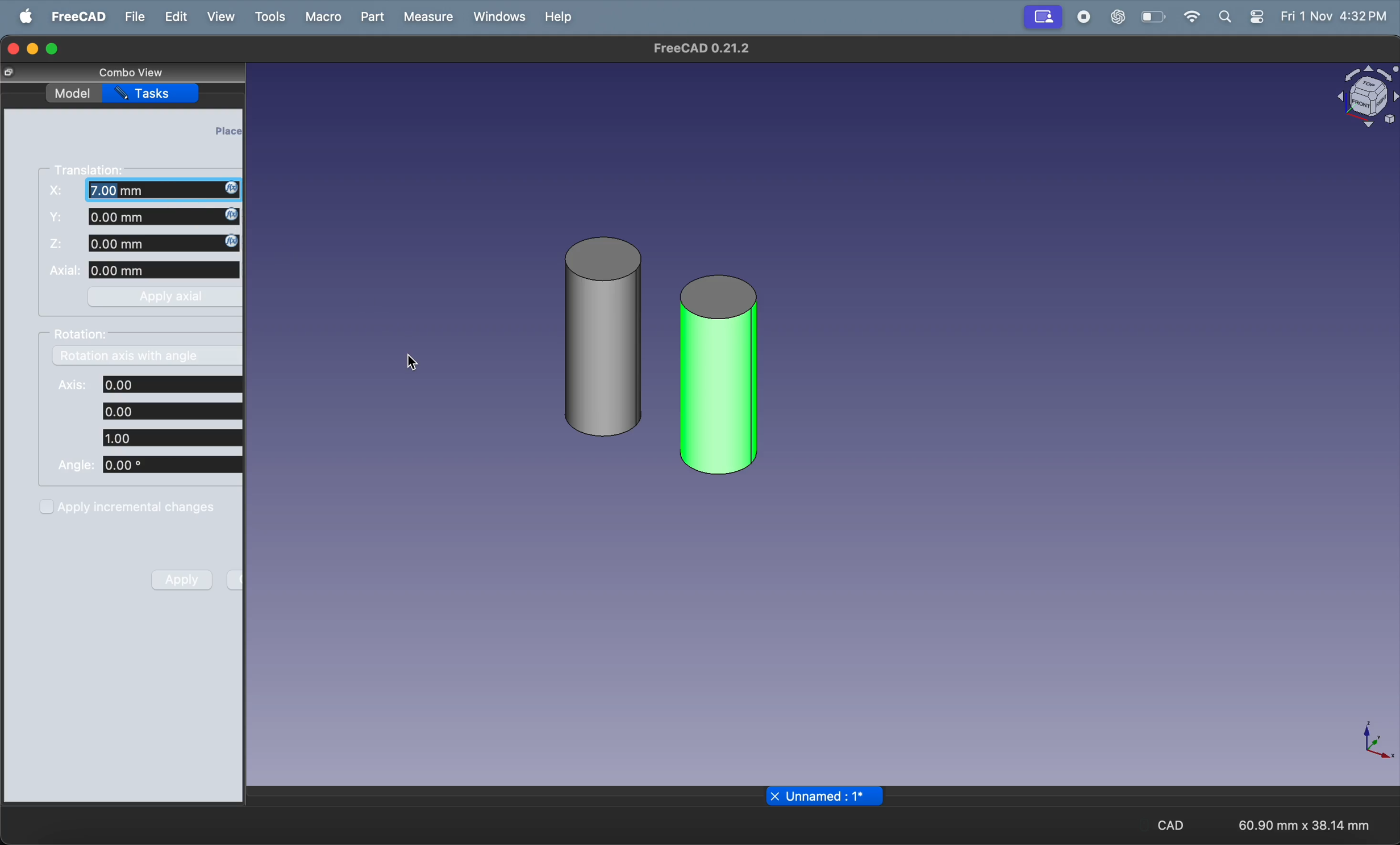  Describe the element at coordinates (149, 355) in the screenshot. I see `rotation axis with angle` at that location.